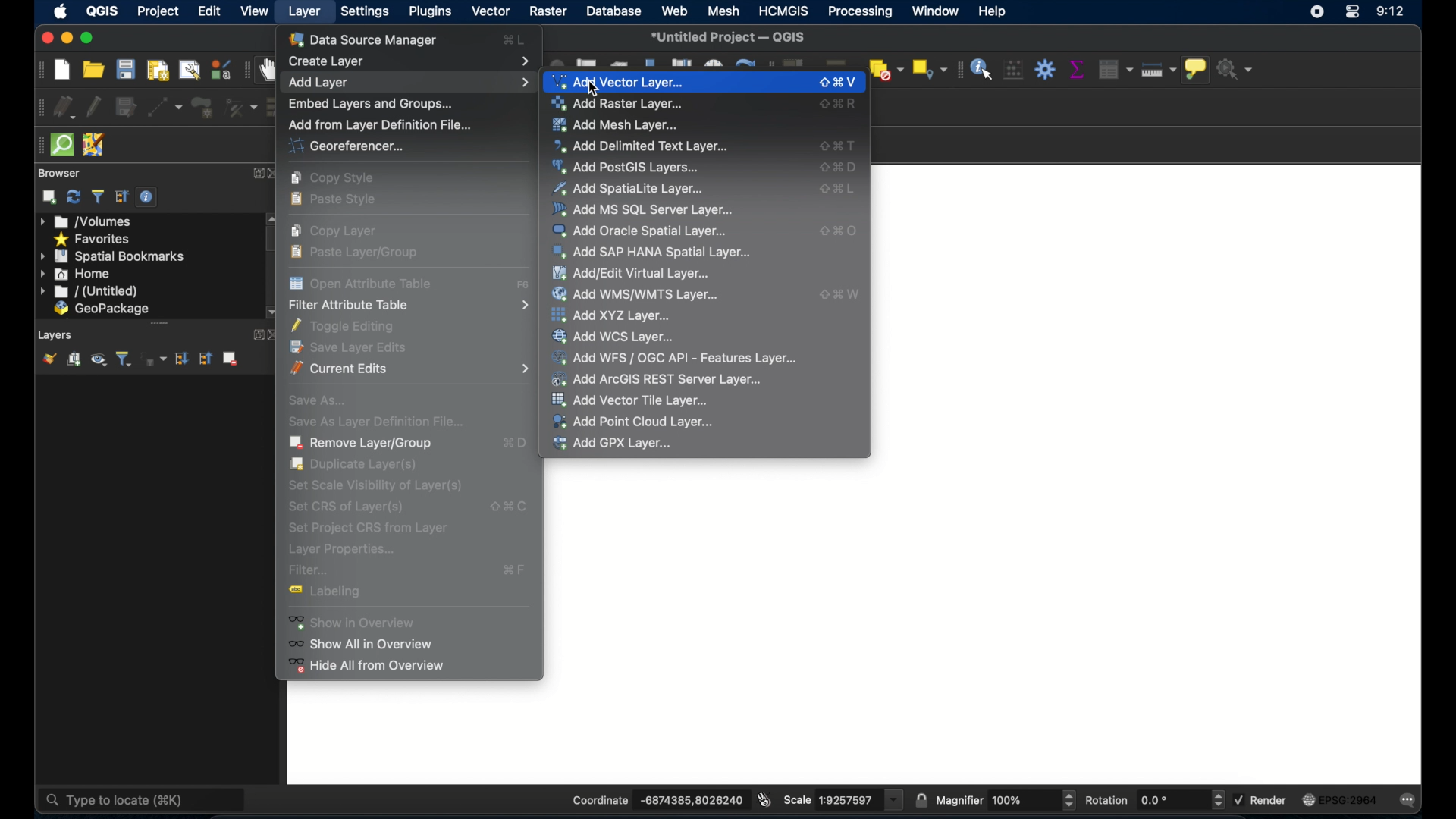 This screenshot has height=819, width=1456. What do you see at coordinates (122, 197) in the screenshot?
I see `collapse all` at bounding box center [122, 197].